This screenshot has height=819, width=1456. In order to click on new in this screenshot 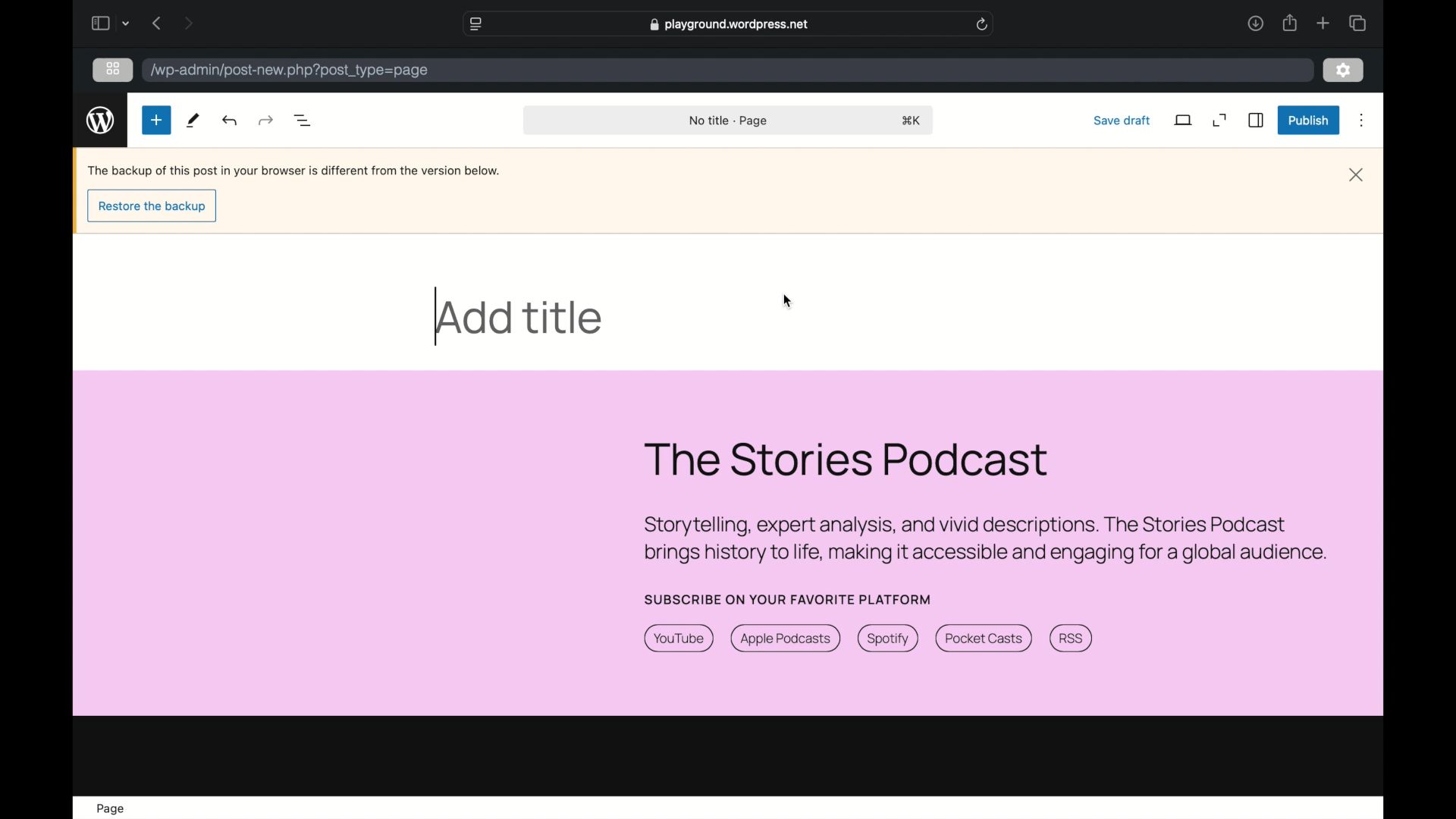, I will do `click(194, 121)`.